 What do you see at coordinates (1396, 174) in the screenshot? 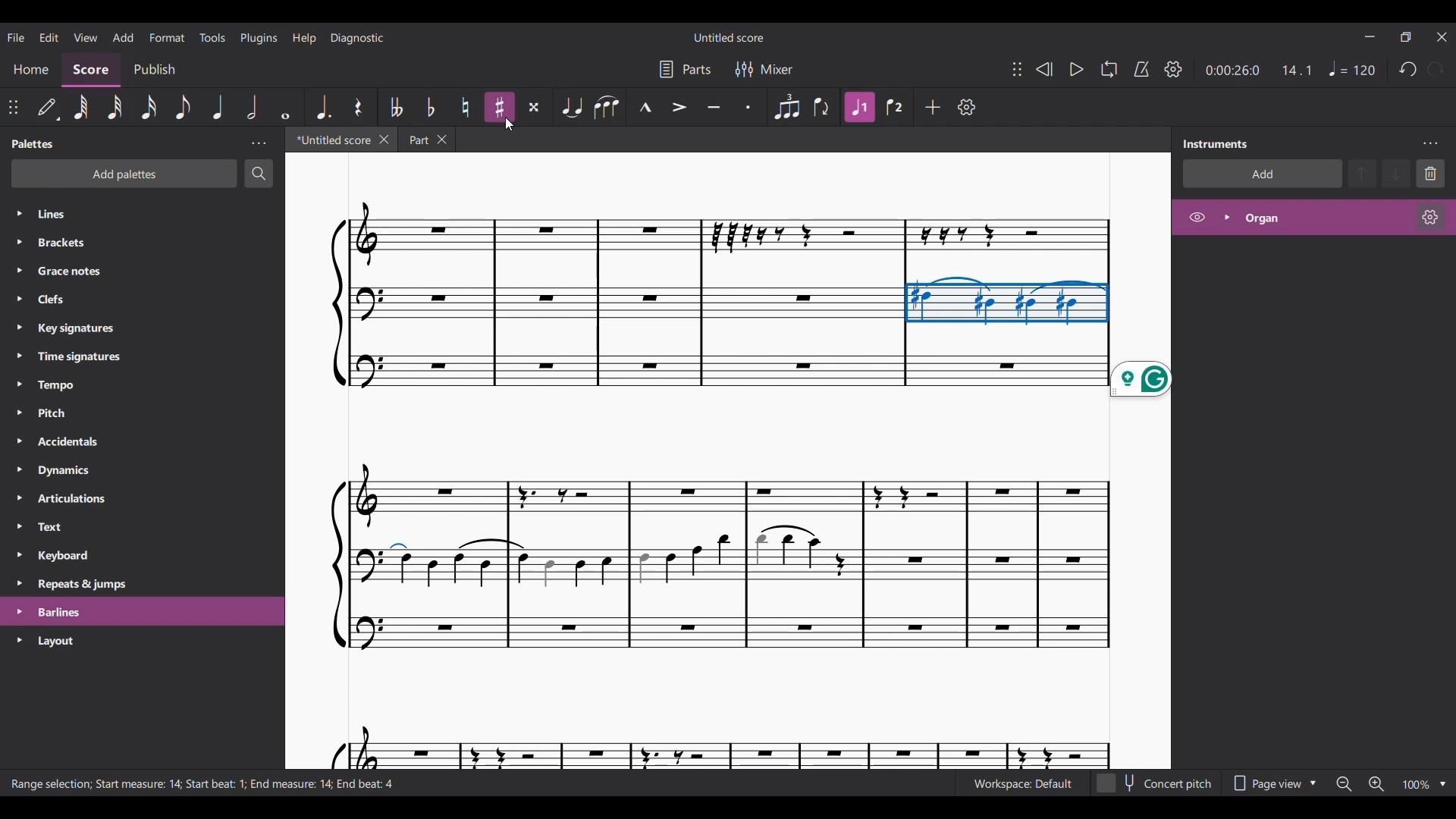
I see `Move selection down` at bounding box center [1396, 174].